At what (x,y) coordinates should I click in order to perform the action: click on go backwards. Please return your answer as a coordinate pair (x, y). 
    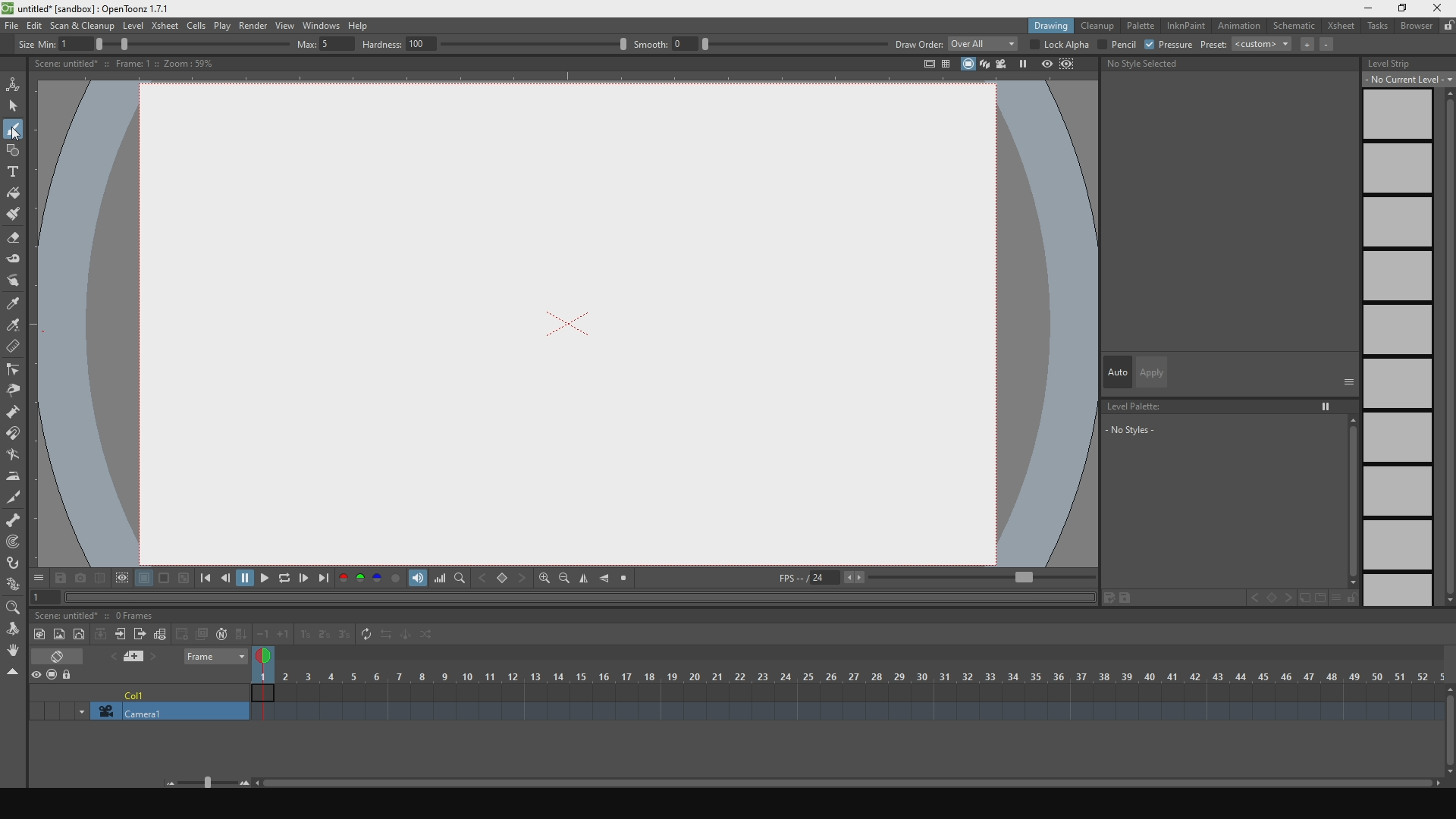
    Looking at the image, I should click on (224, 579).